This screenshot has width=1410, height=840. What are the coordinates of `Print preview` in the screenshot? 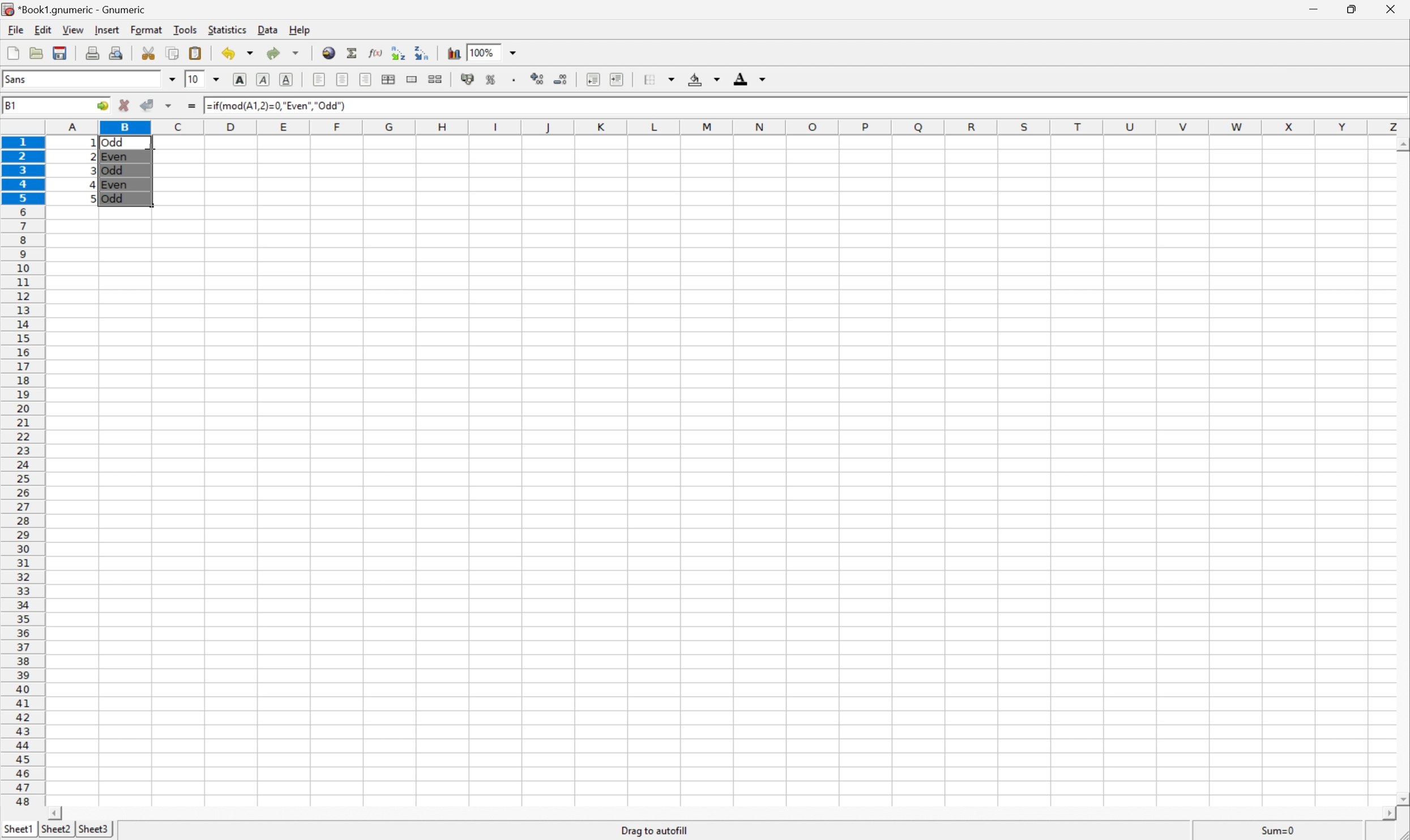 It's located at (116, 52).